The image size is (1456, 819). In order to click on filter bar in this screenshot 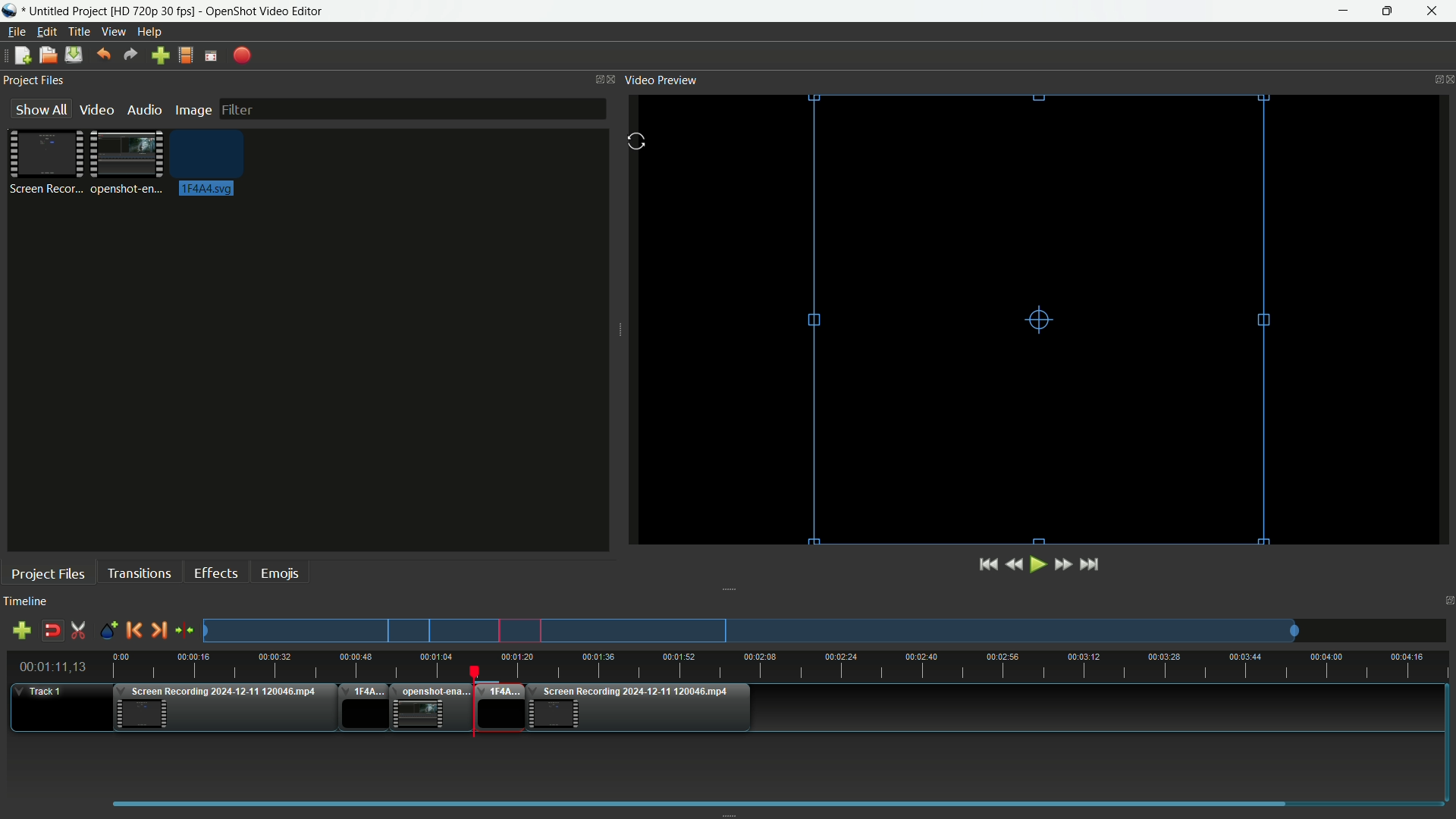, I will do `click(411, 107)`.